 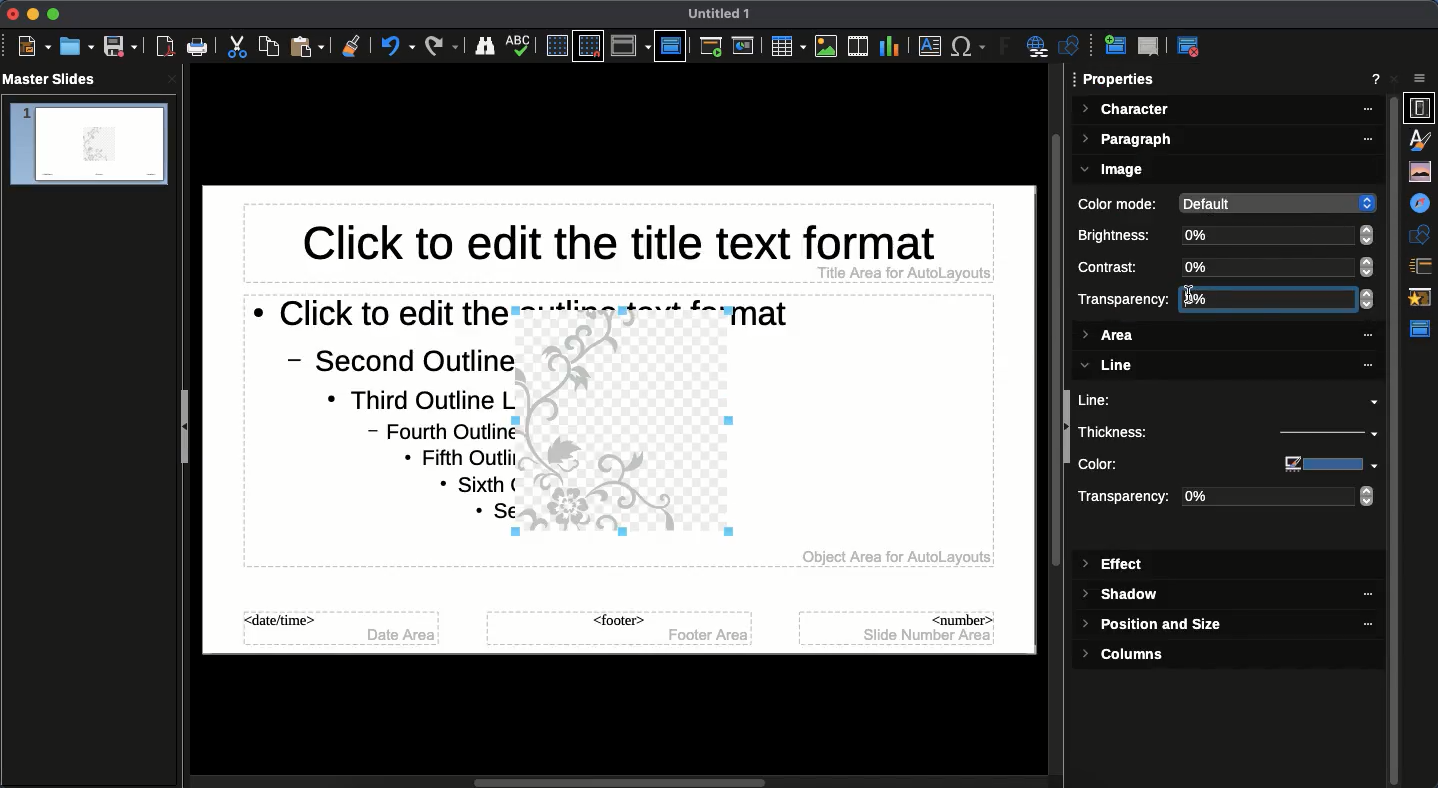 I want to click on Print, so click(x=198, y=47).